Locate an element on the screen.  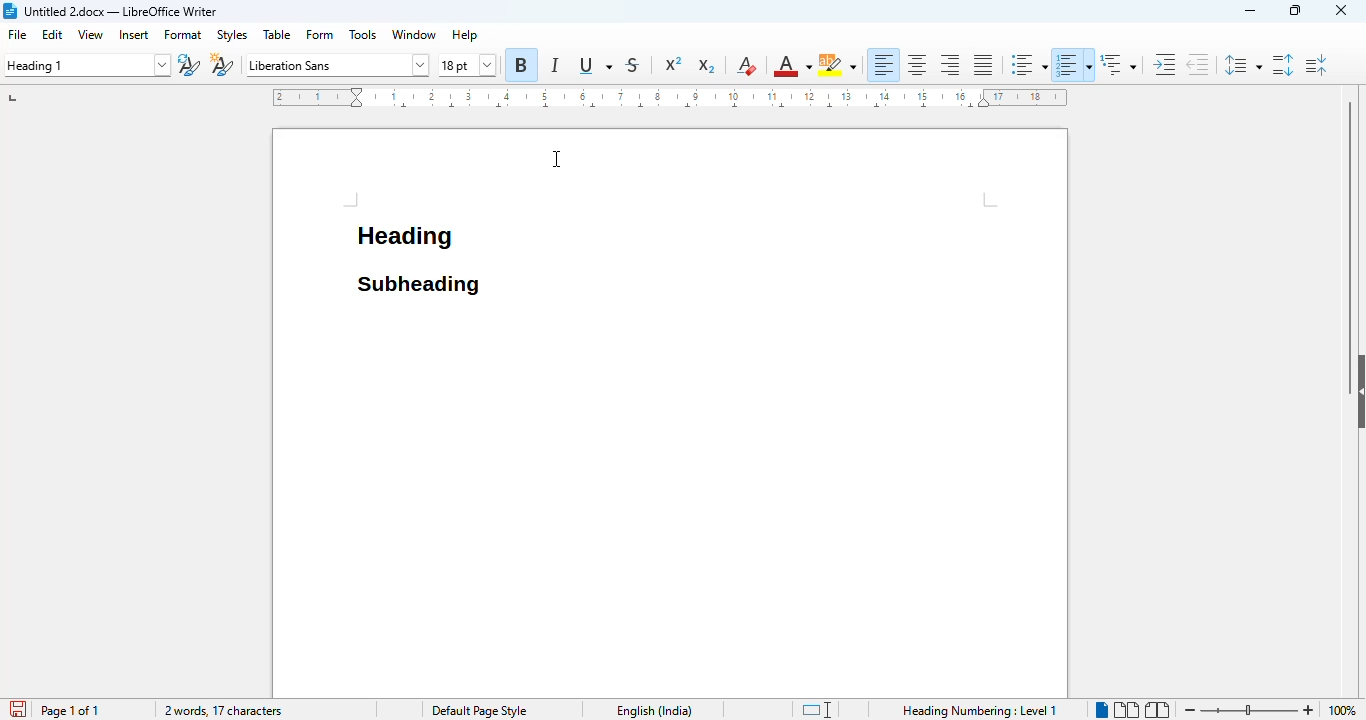
justified is located at coordinates (984, 65).